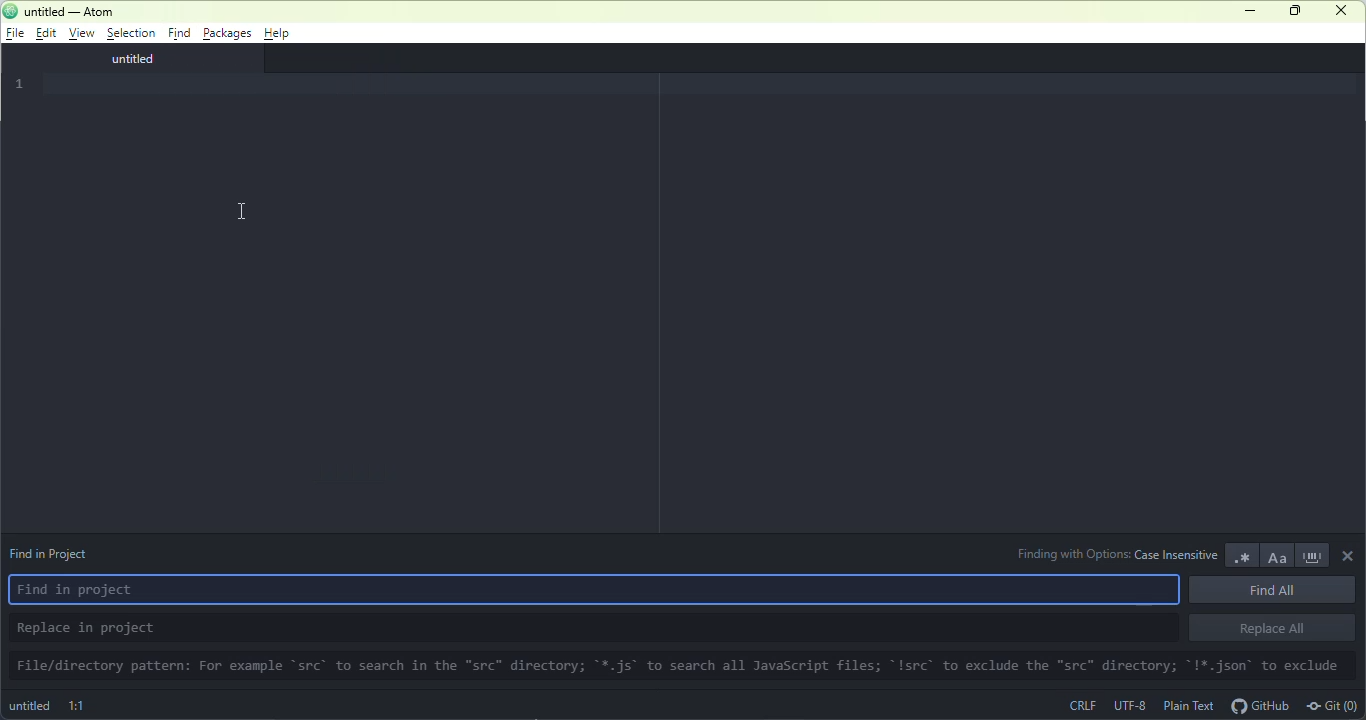 The height and width of the screenshot is (720, 1366). I want to click on use regex, so click(1240, 555).